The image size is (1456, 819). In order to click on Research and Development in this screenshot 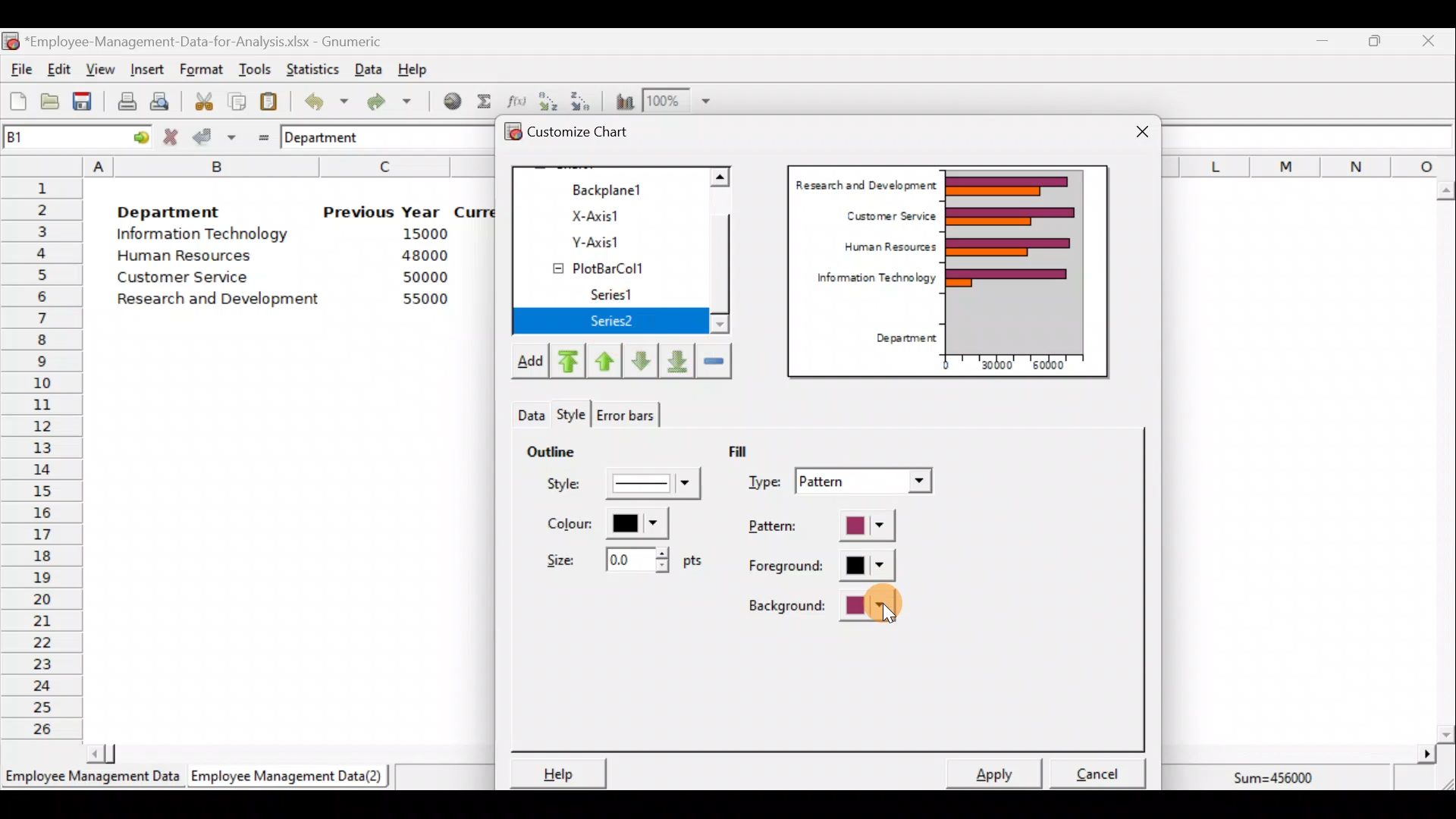, I will do `click(224, 301)`.